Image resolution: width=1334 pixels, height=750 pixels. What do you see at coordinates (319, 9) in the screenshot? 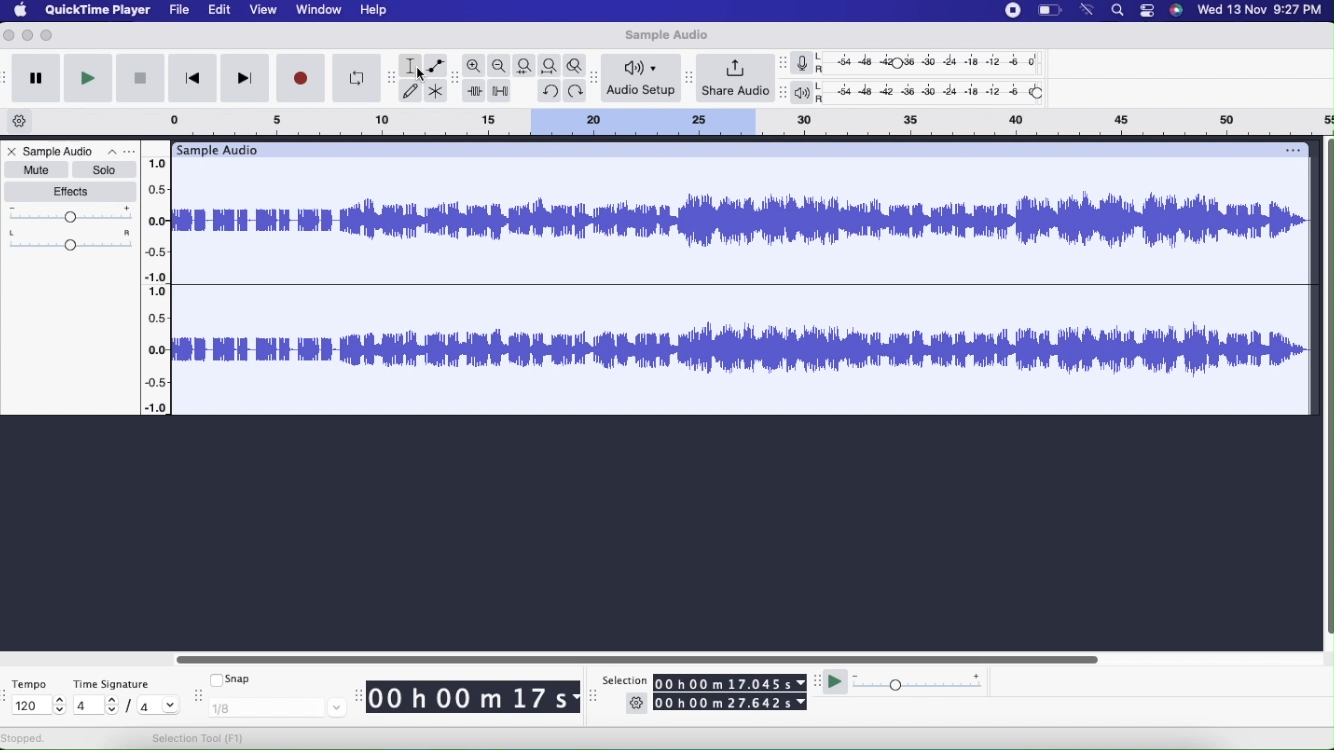
I see `Window` at bounding box center [319, 9].